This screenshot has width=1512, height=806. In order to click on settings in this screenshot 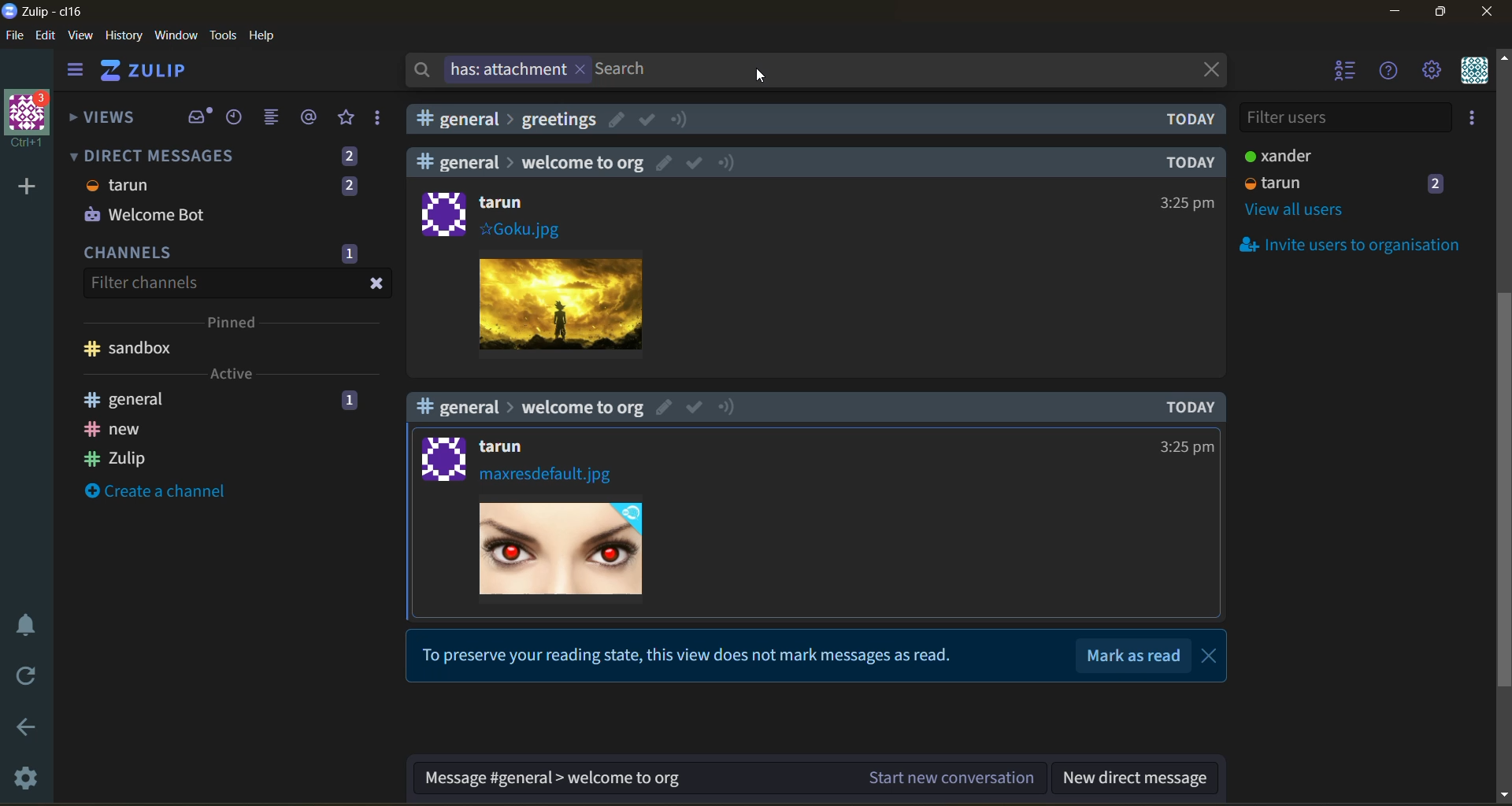, I will do `click(1432, 71)`.